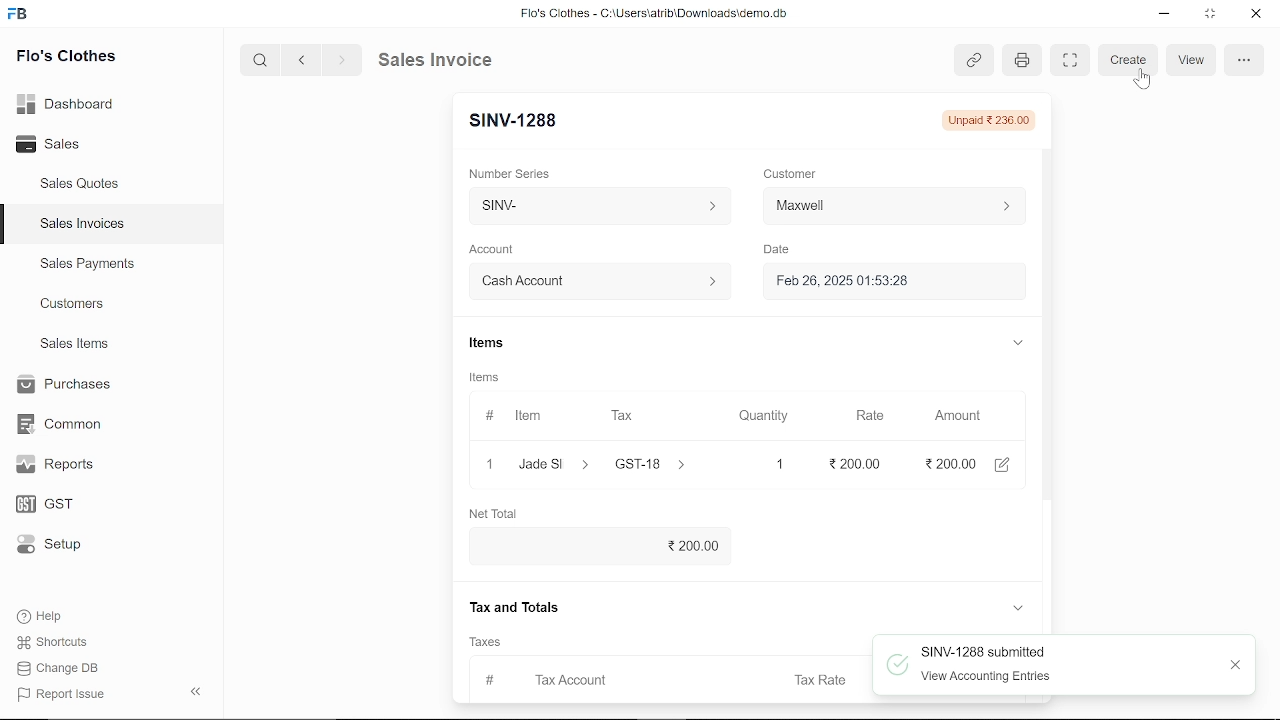  Describe the element at coordinates (517, 417) in the screenshot. I see `Item` at that location.